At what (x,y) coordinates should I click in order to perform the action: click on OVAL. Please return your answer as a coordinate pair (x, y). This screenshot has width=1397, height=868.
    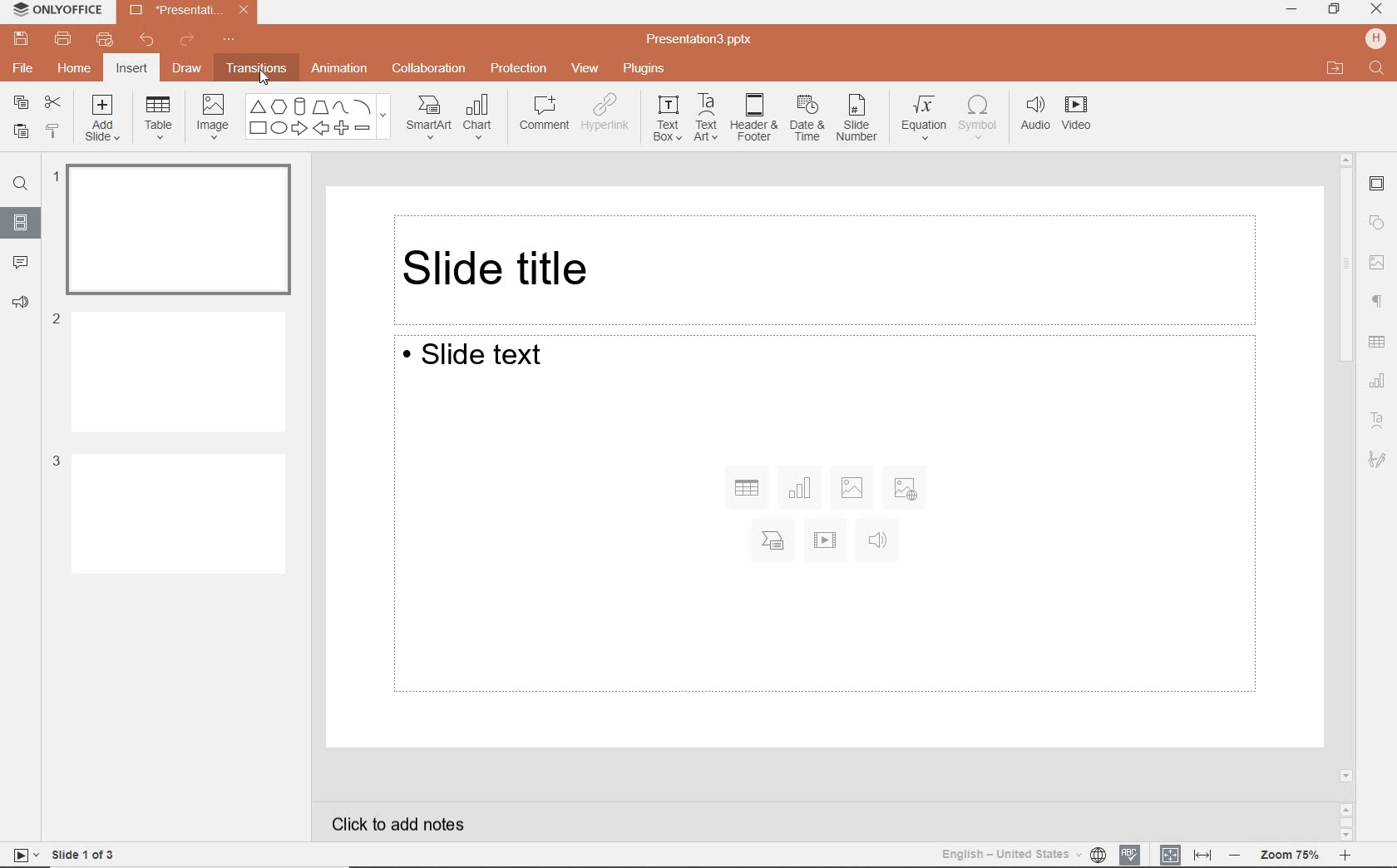
    Looking at the image, I should click on (279, 129).